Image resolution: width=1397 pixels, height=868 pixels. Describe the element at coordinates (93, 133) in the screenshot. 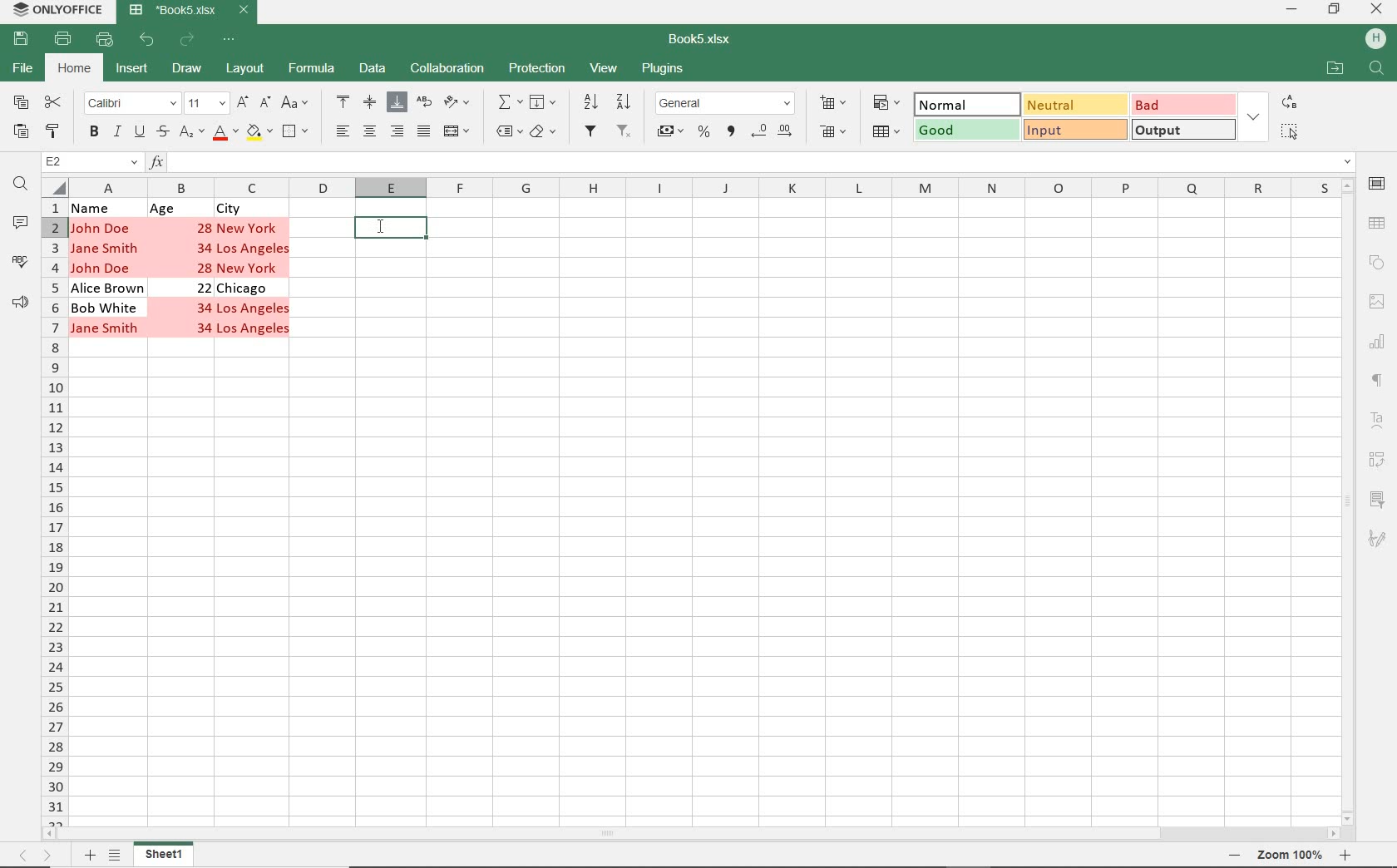

I see `BOLD` at that location.